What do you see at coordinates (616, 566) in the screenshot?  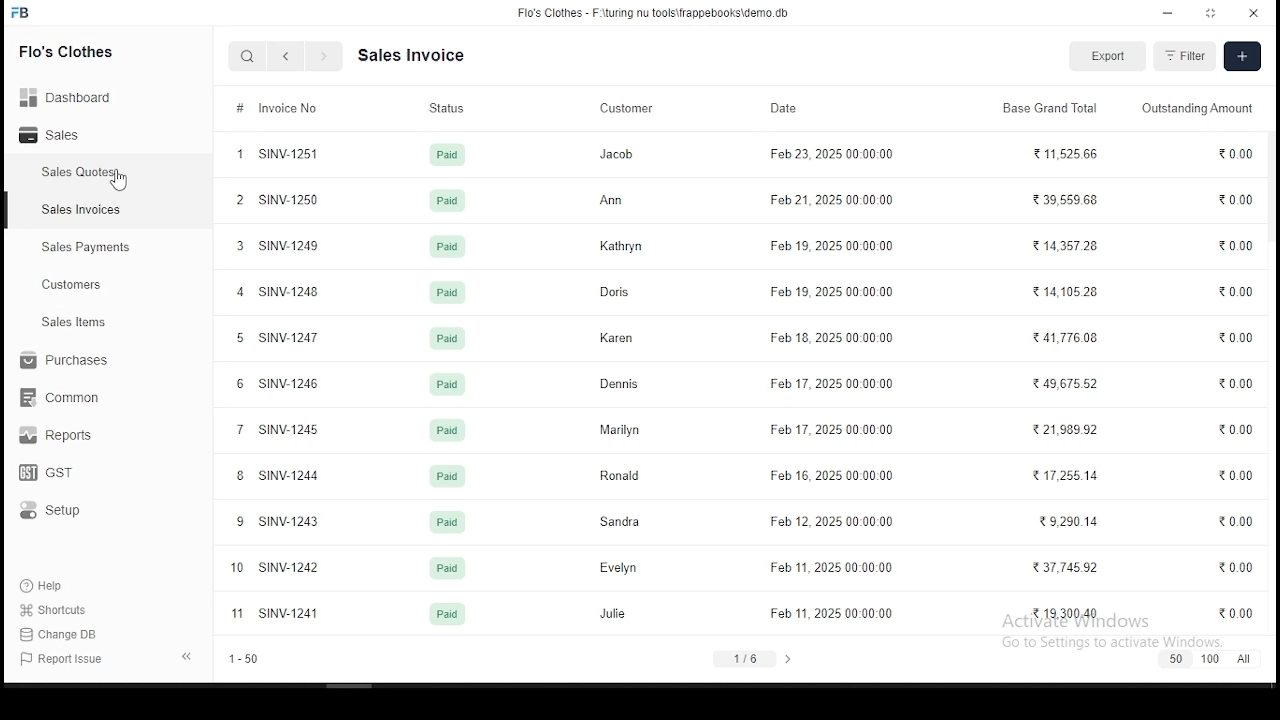 I see `Evelyn` at bounding box center [616, 566].